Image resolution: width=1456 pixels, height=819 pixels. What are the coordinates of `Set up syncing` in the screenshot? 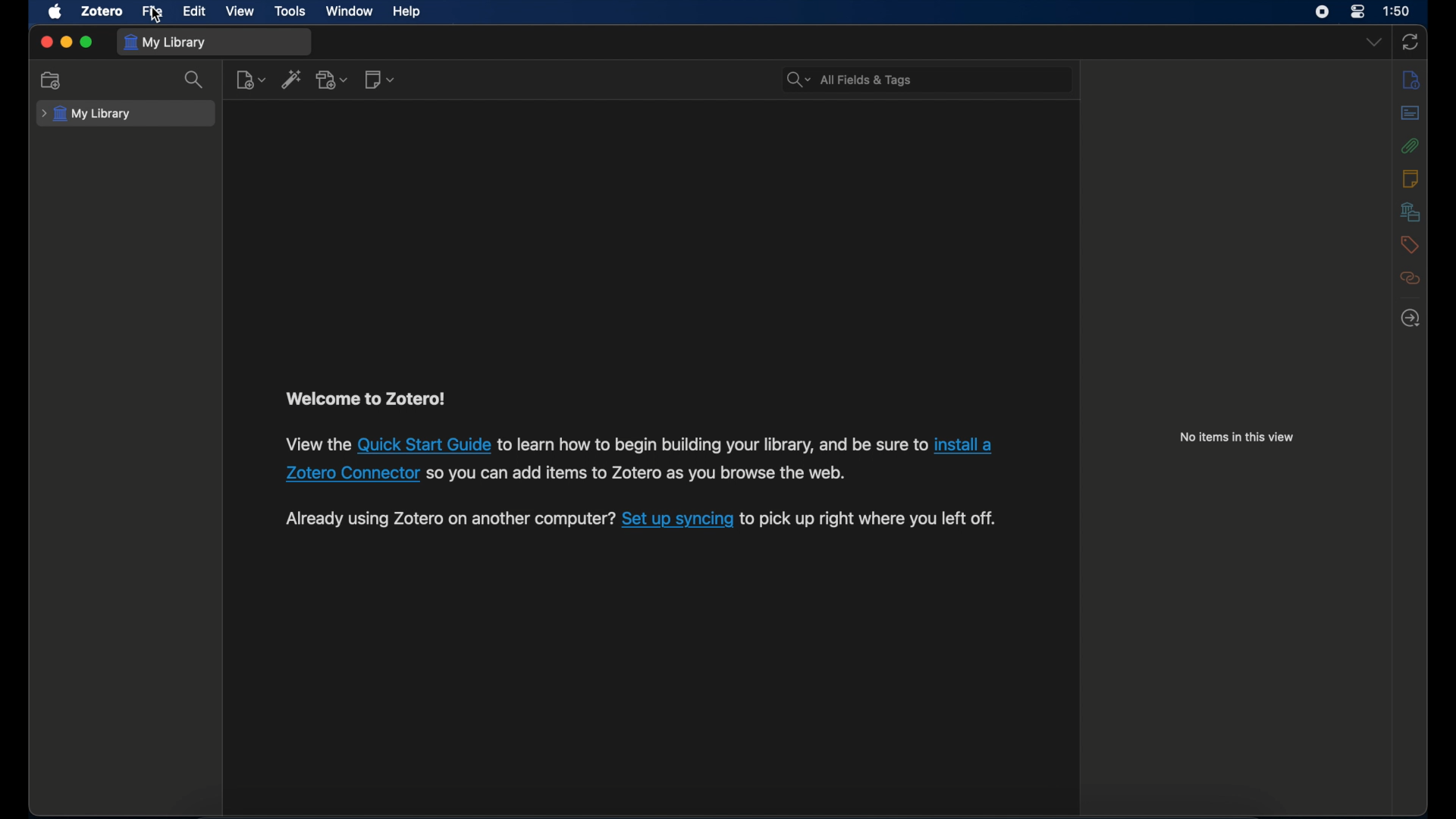 It's located at (678, 518).